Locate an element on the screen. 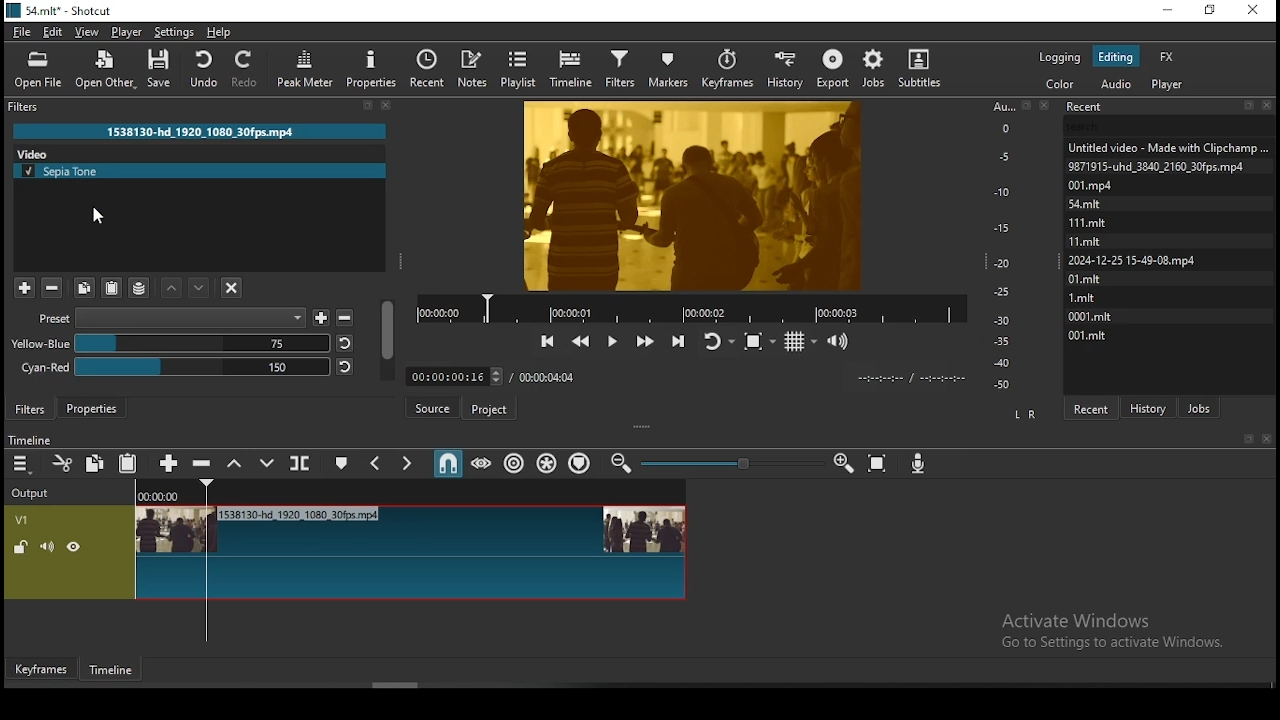  elapsed time is located at coordinates (447, 374).